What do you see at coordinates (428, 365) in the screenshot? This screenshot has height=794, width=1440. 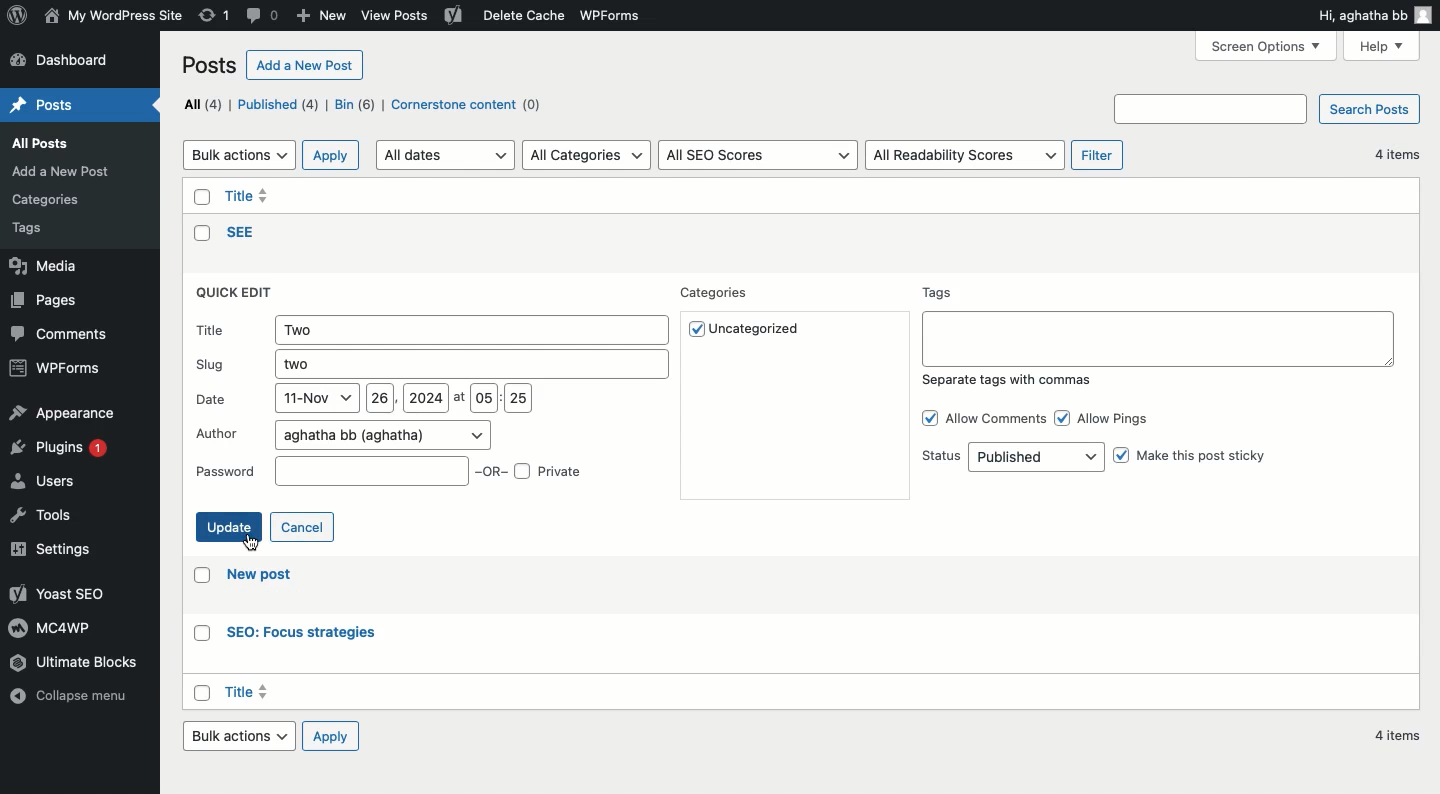 I see `Slug` at bounding box center [428, 365].